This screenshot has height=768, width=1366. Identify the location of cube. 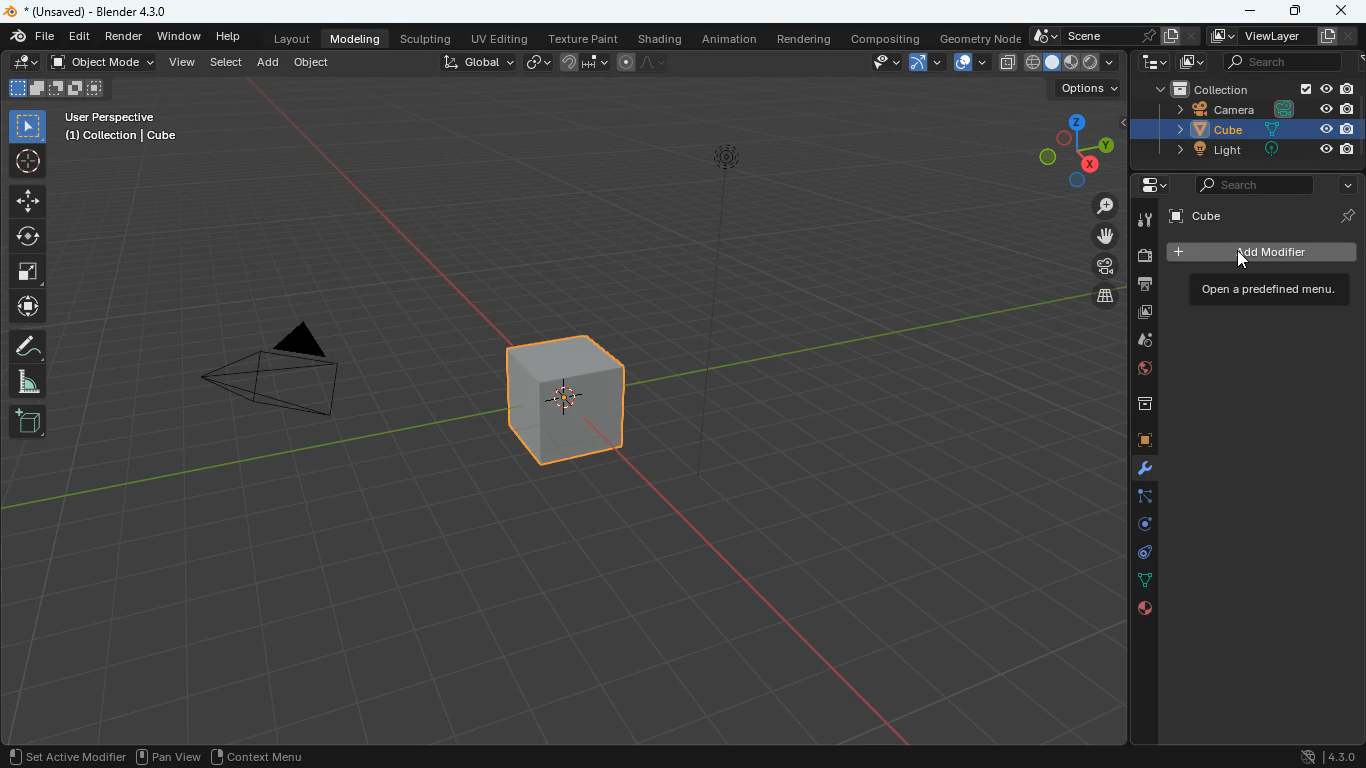
(1135, 441).